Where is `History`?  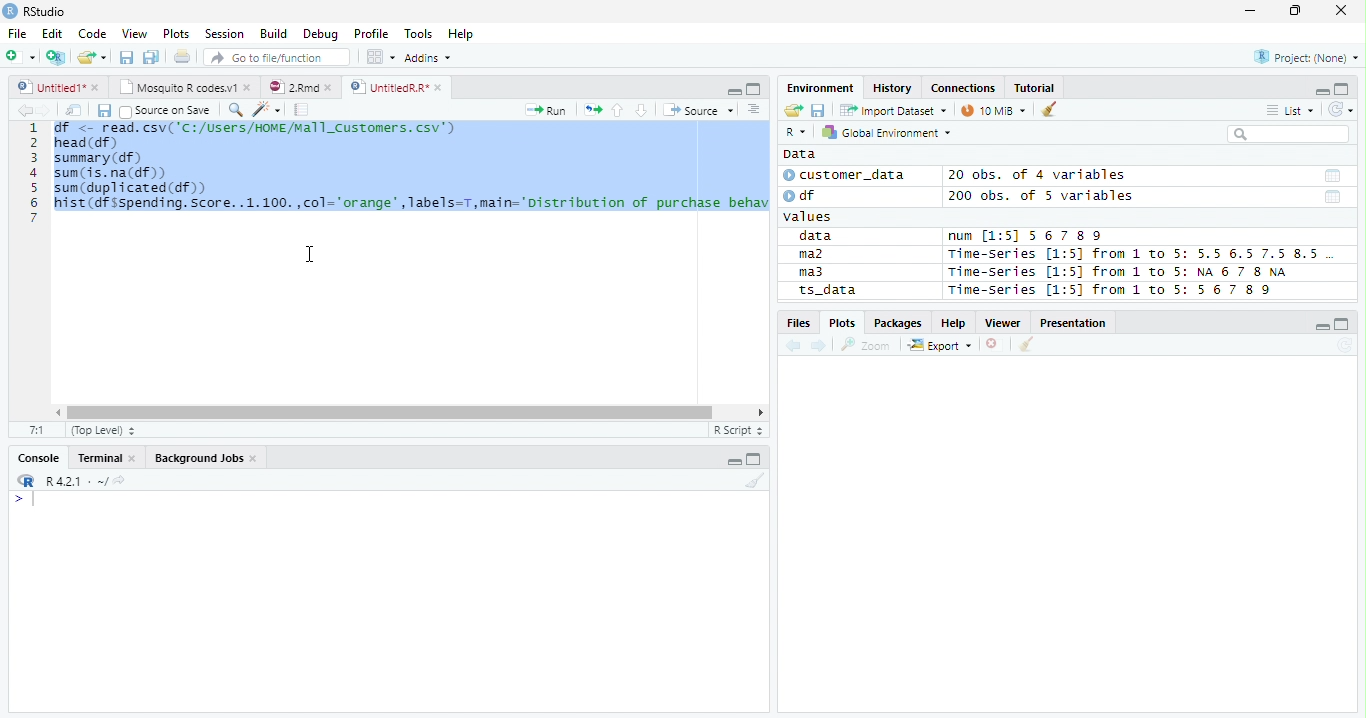
History is located at coordinates (894, 89).